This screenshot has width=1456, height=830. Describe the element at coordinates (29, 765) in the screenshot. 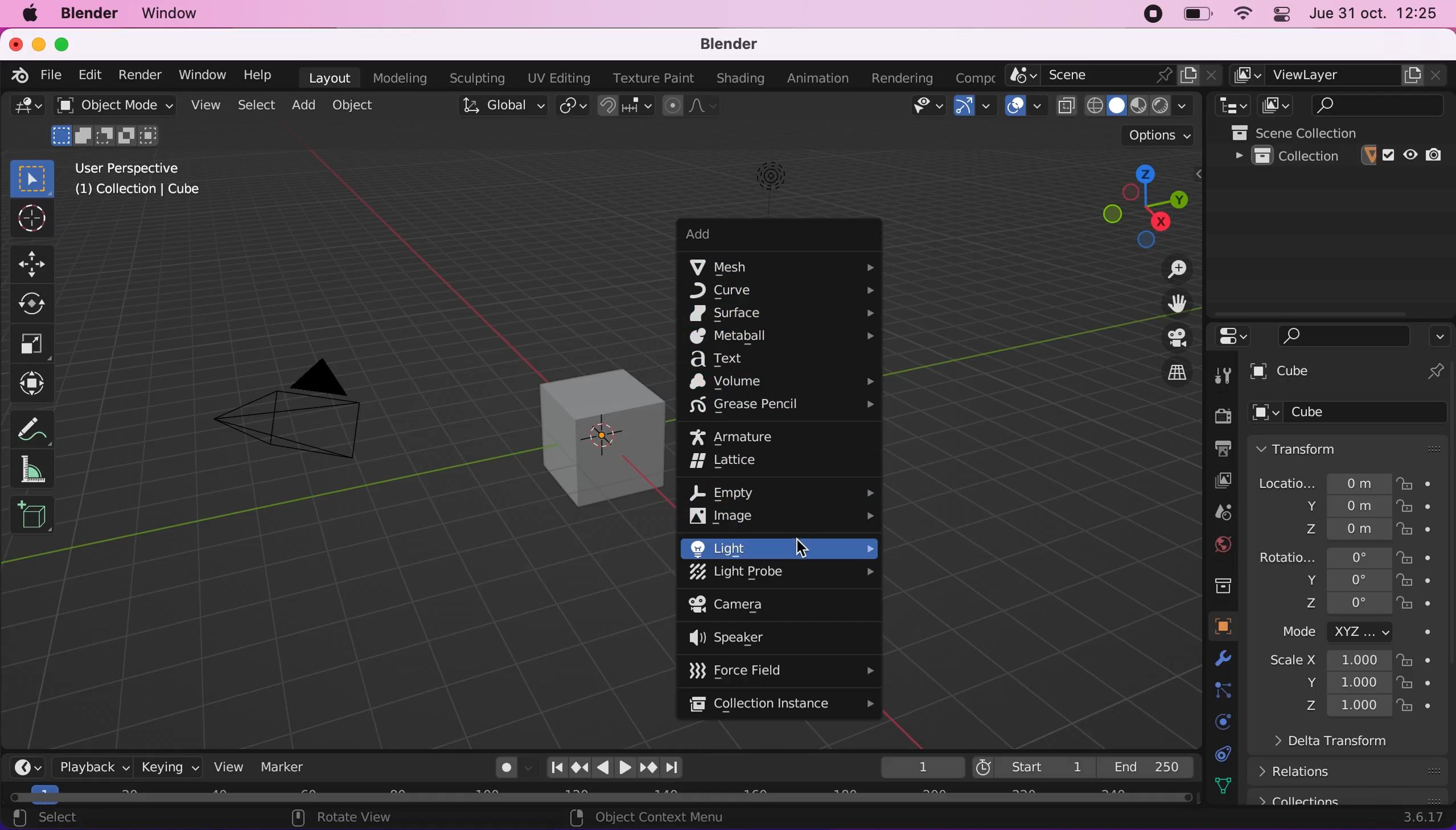

I see `editor type` at that location.